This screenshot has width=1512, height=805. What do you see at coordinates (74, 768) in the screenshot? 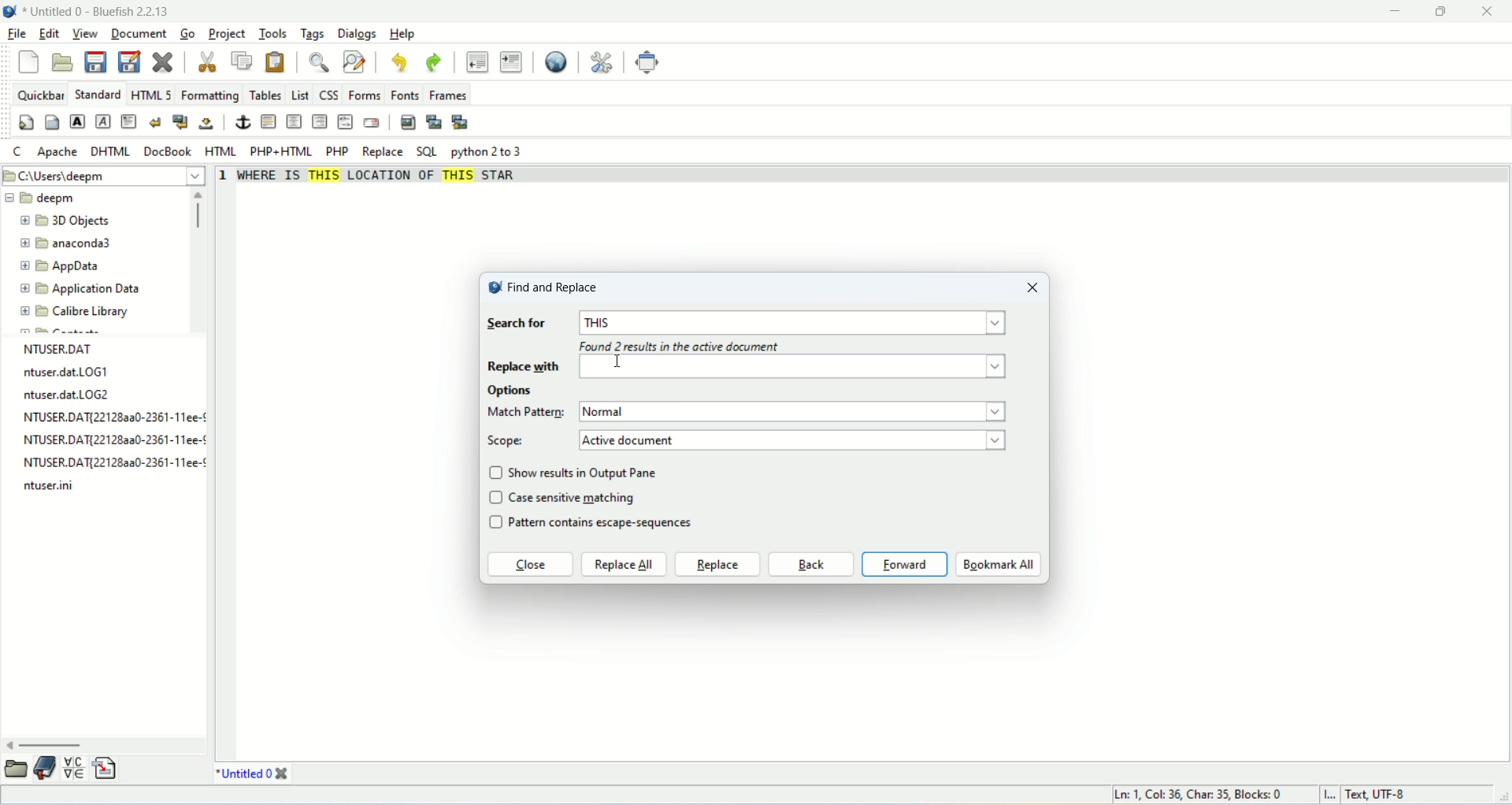
I see `char map` at bounding box center [74, 768].